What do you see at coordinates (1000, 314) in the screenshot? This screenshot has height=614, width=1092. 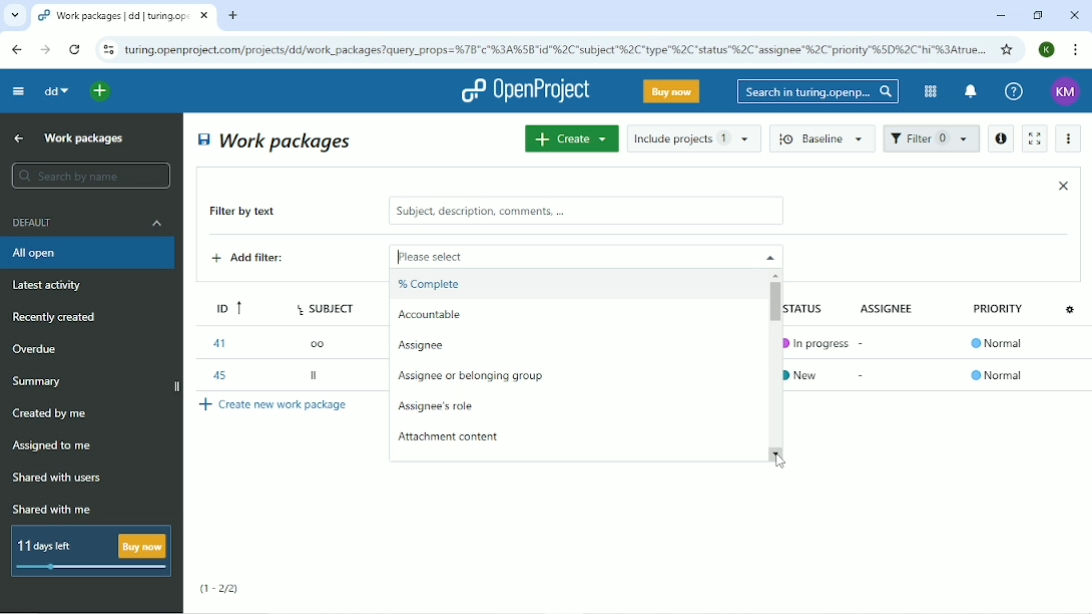 I see `Priority` at bounding box center [1000, 314].